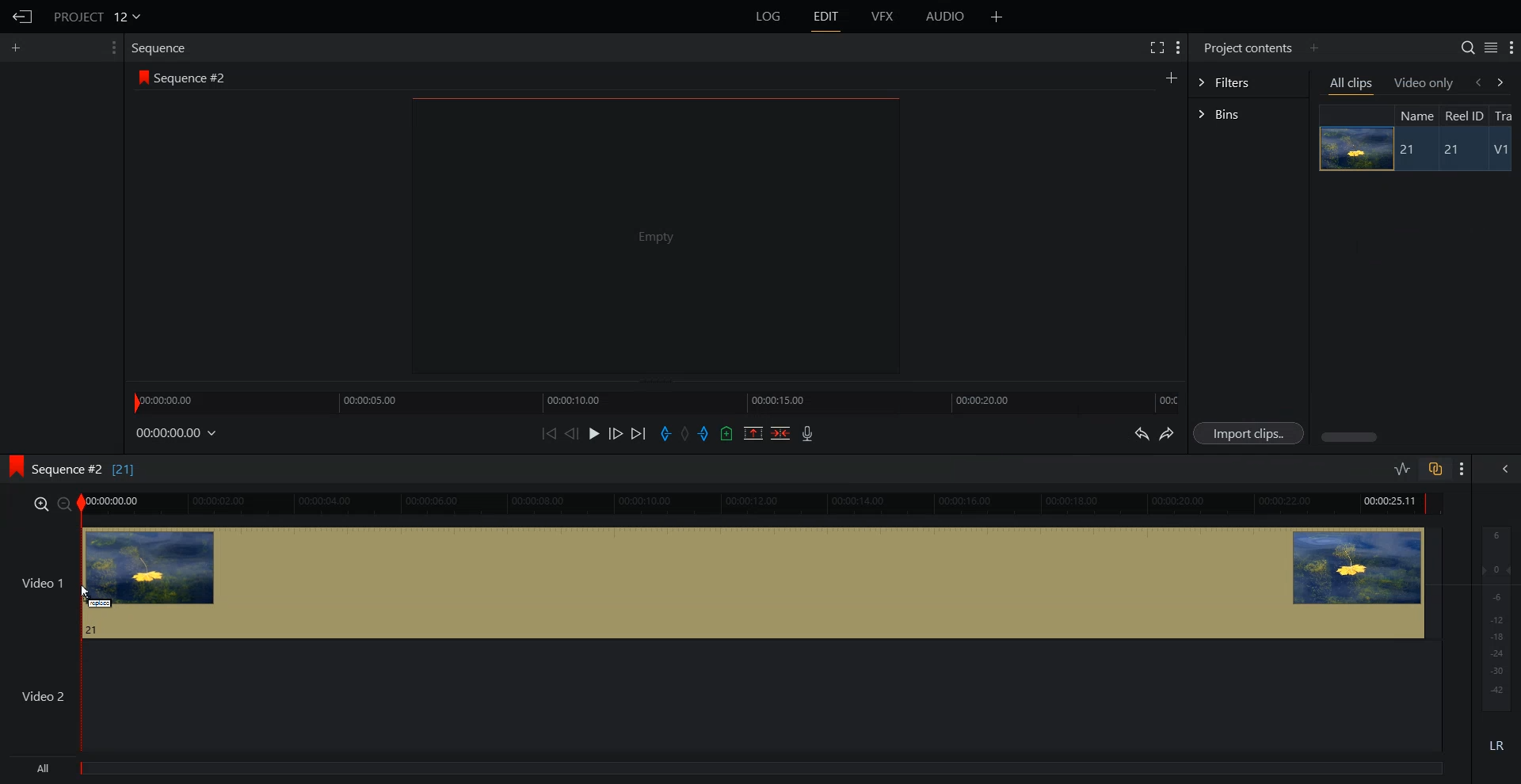  What do you see at coordinates (1507, 82) in the screenshot?
I see `forward` at bounding box center [1507, 82].